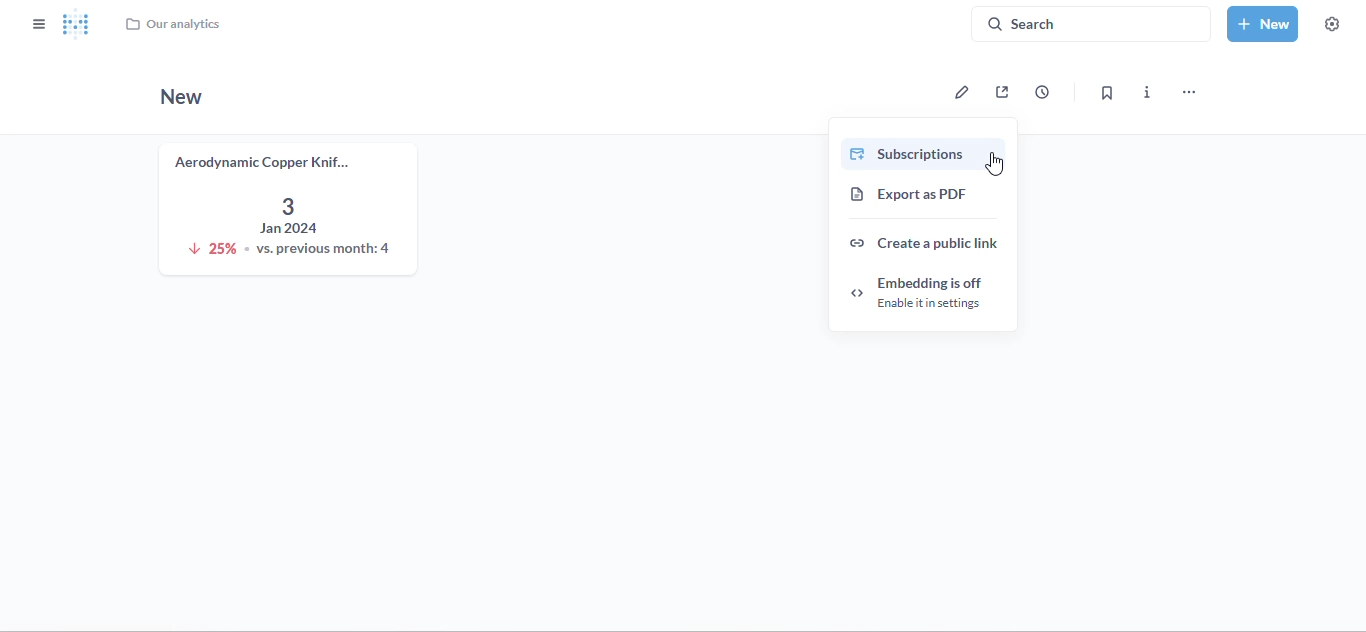  I want to click on more, so click(1189, 92).